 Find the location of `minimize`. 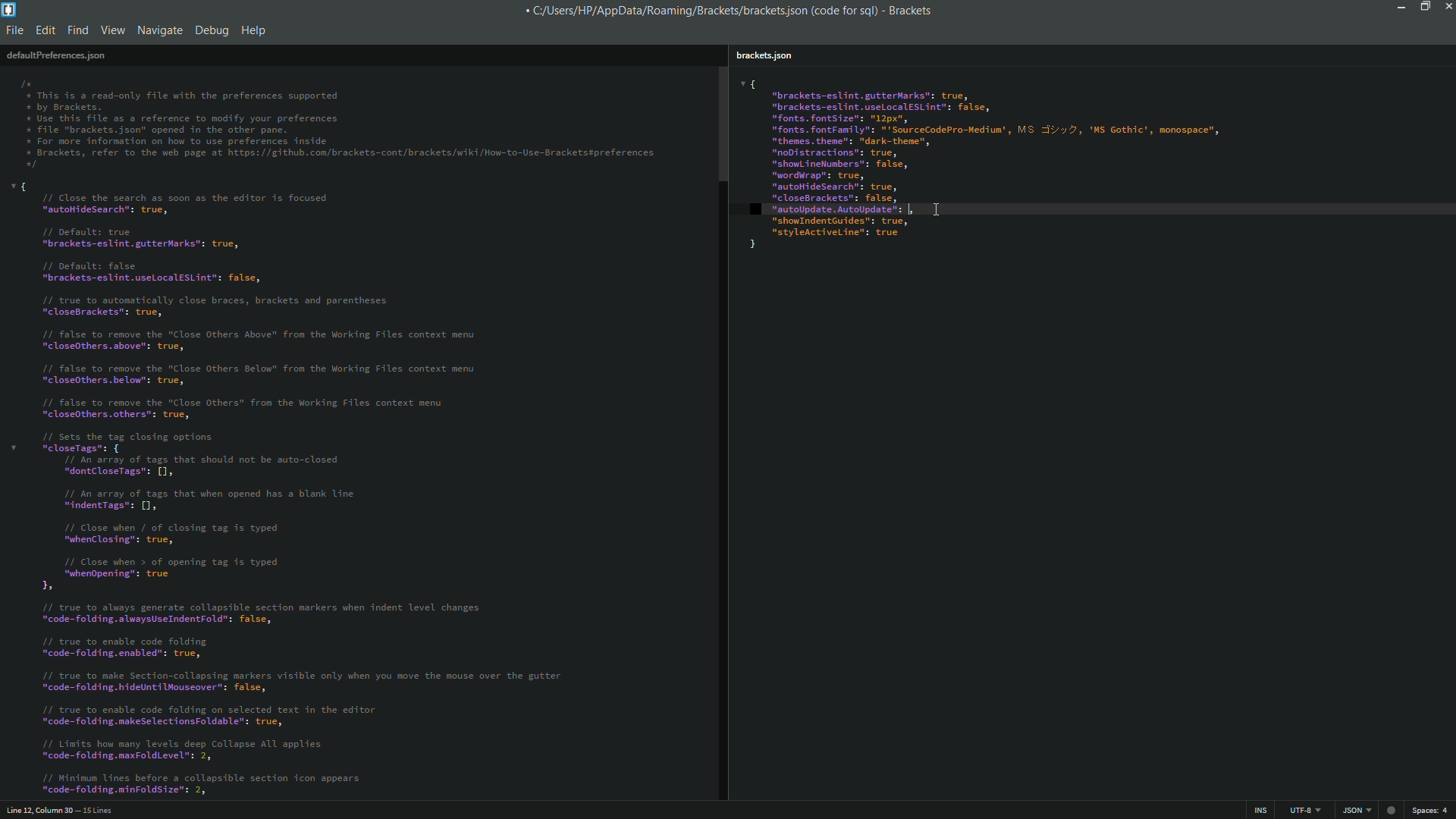

minimize is located at coordinates (1401, 8).